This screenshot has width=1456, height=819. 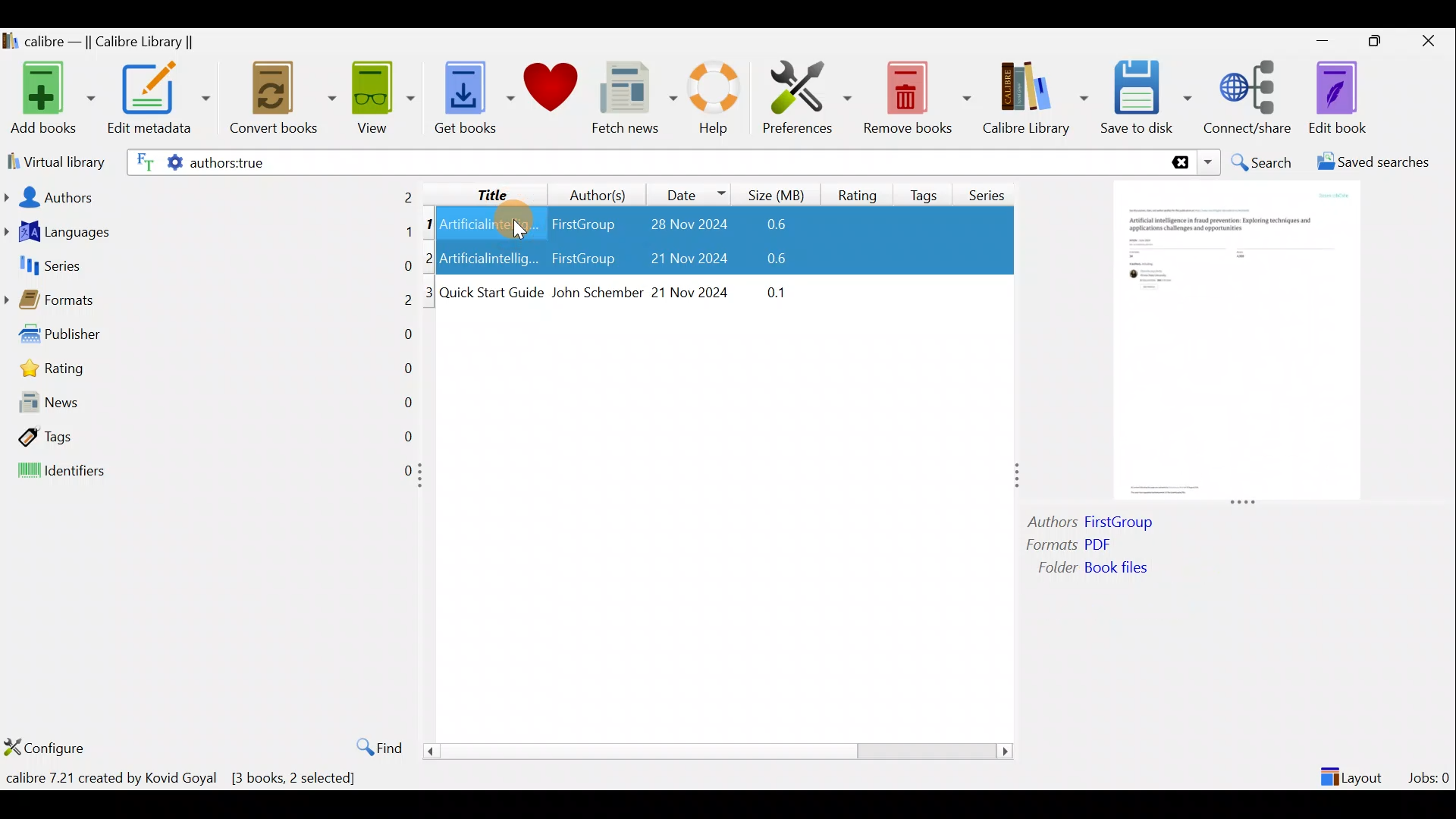 I want to click on Folder: Book files, so click(x=1130, y=570).